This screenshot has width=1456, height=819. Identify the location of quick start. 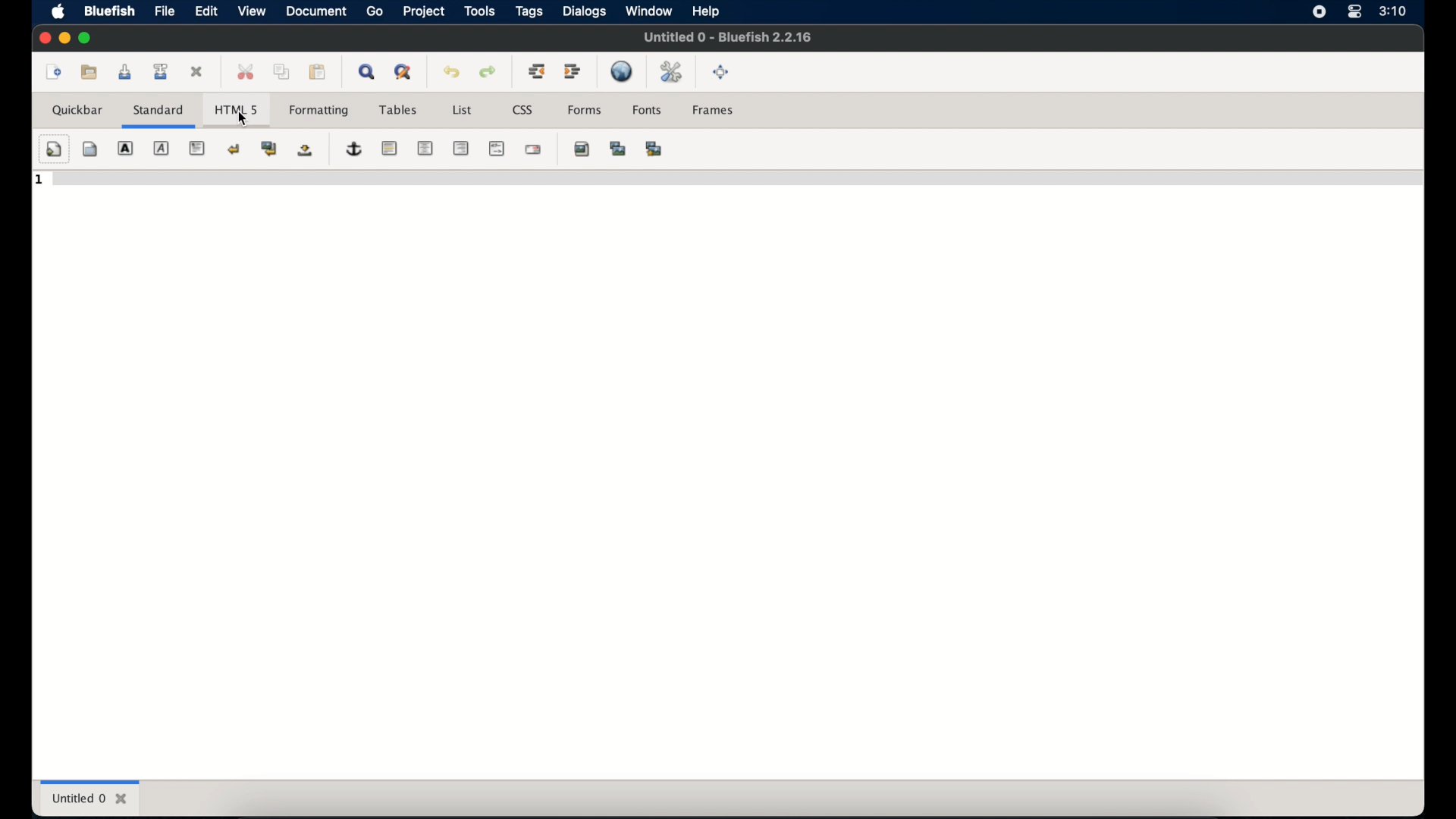
(54, 149).